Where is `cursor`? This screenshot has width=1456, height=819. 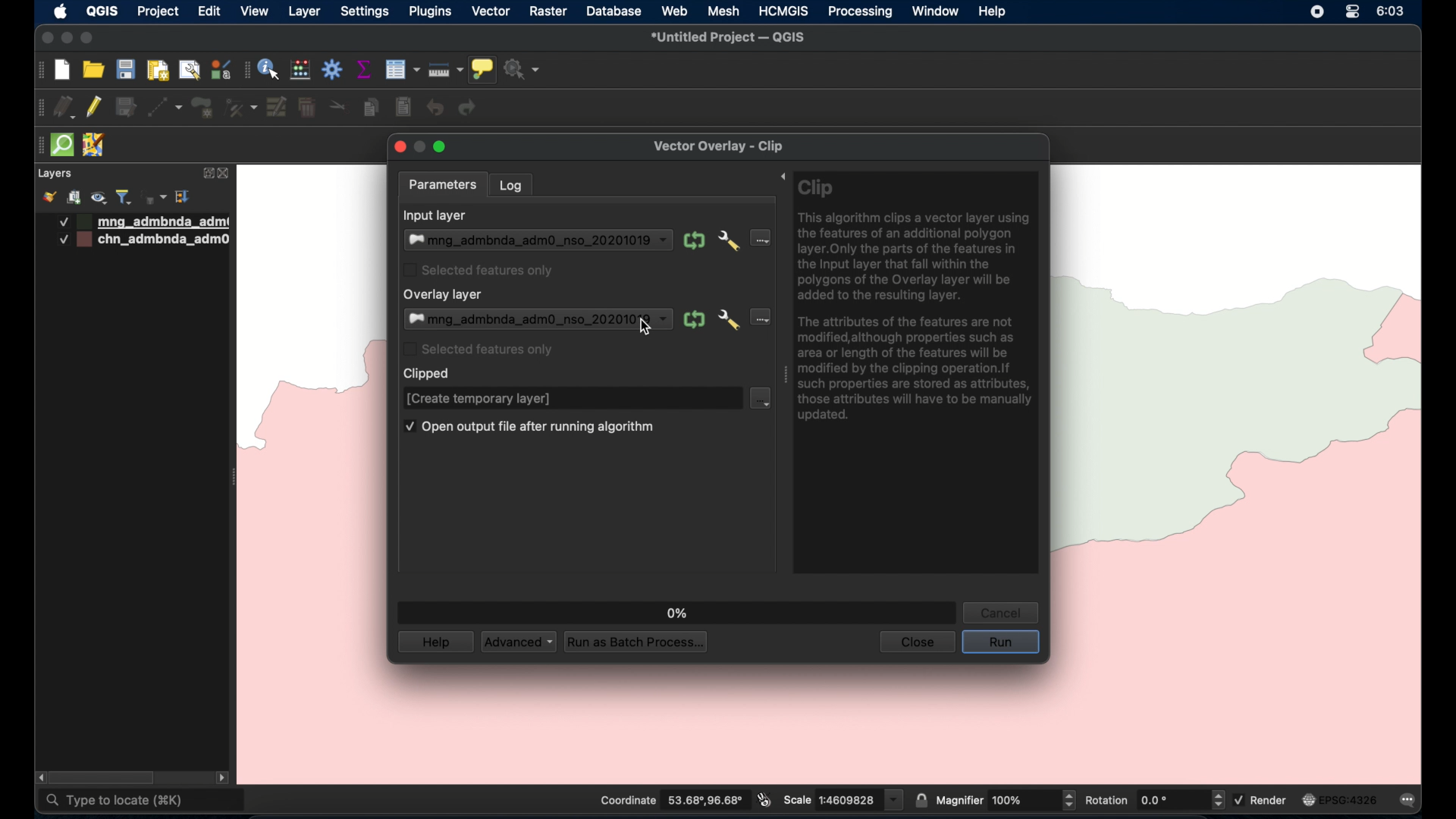
cursor is located at coordinates (647, 327).